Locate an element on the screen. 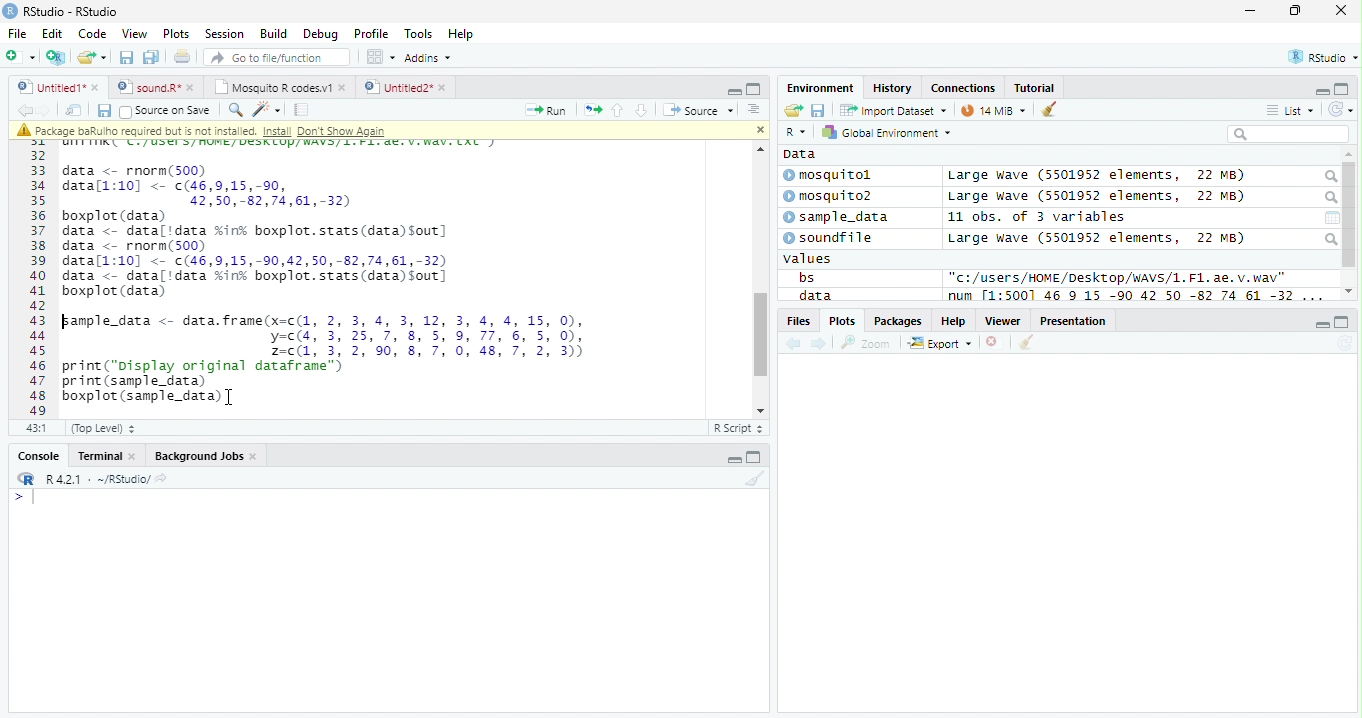 The height and width of the screenshot is (718, 1362). cursor is located at coordinates (231, 398).